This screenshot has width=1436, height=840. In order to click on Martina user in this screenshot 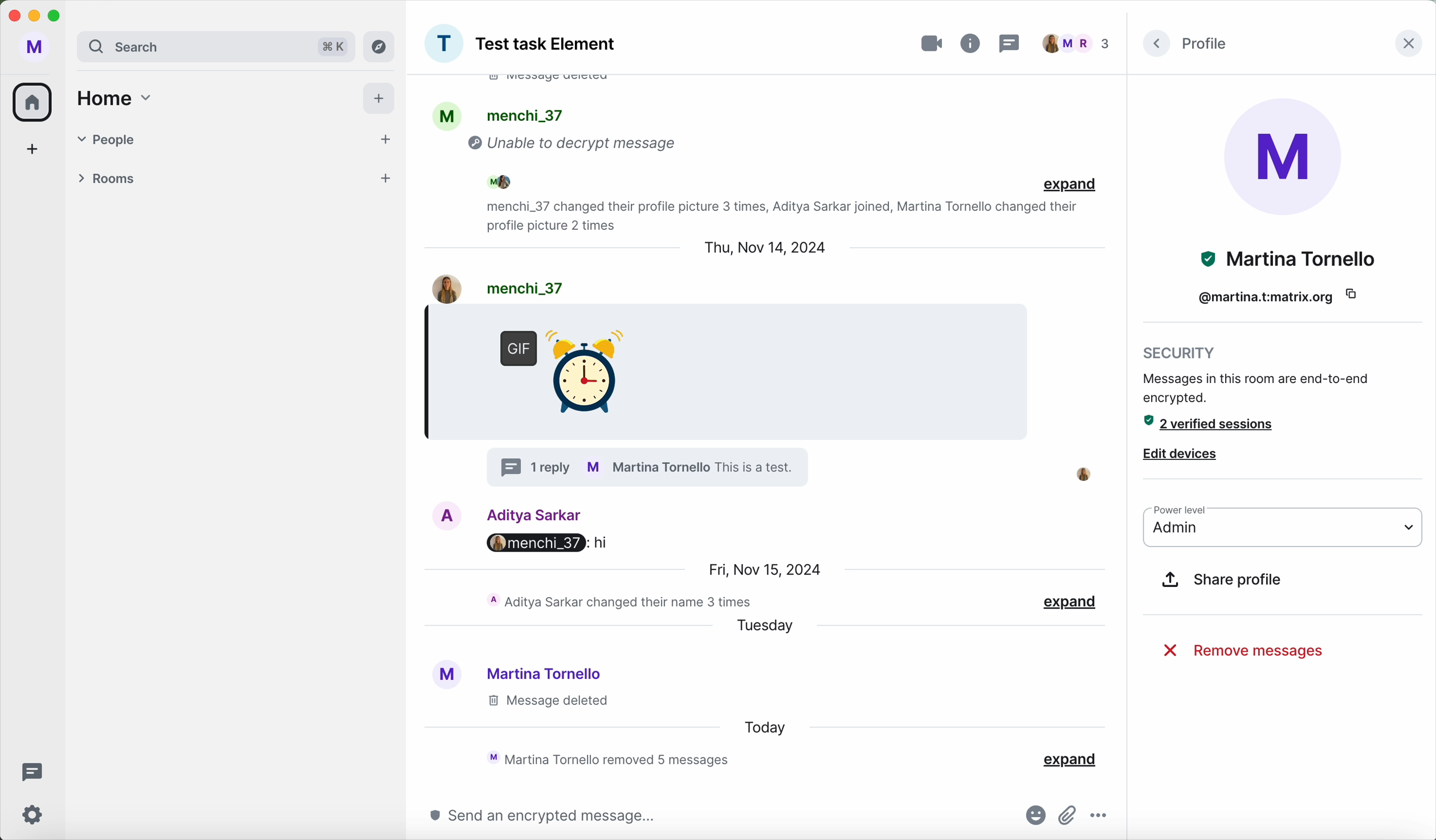, I will do `click(546, 673)`.